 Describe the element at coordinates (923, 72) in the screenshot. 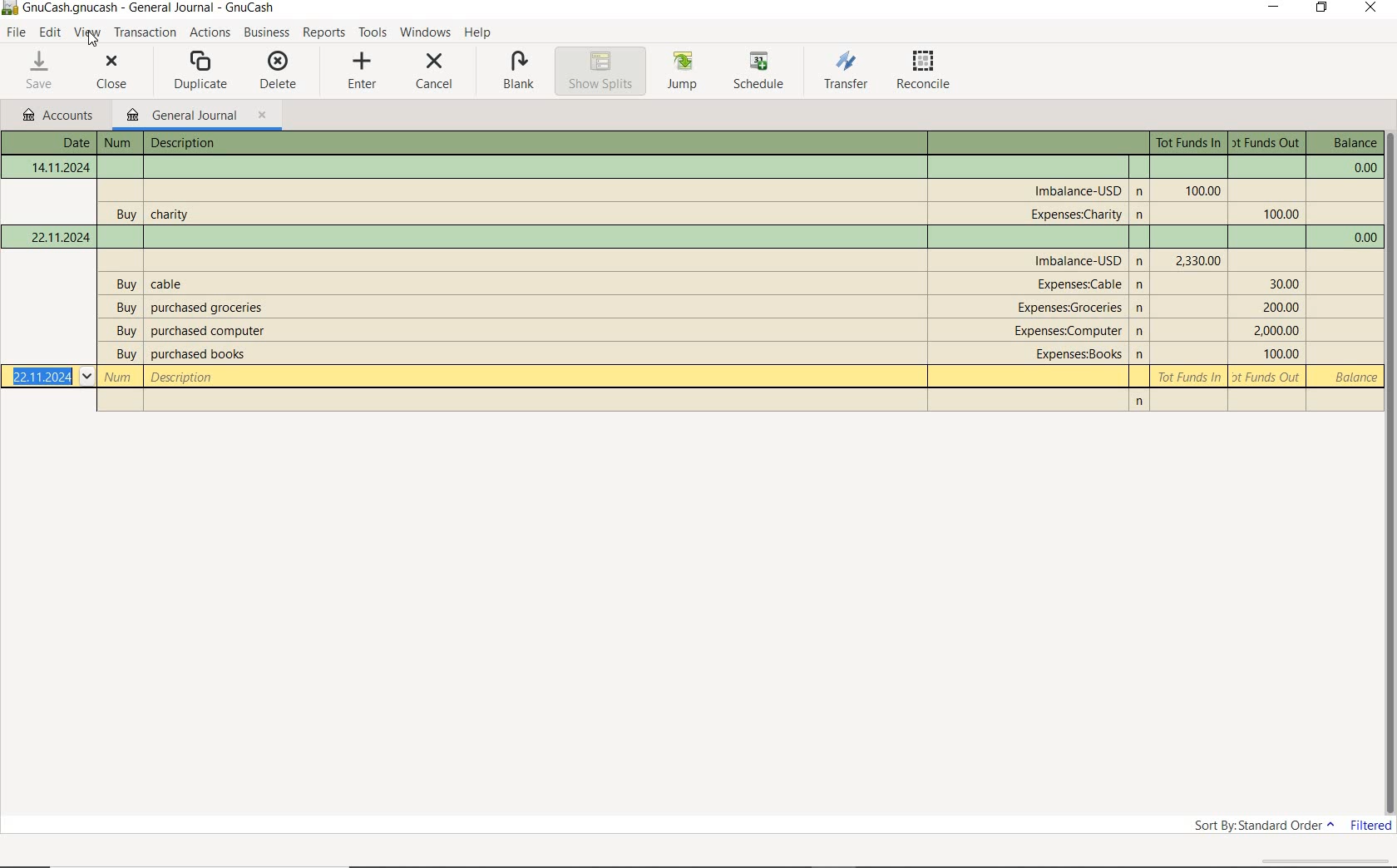

I see `RECONCILE` at that location.